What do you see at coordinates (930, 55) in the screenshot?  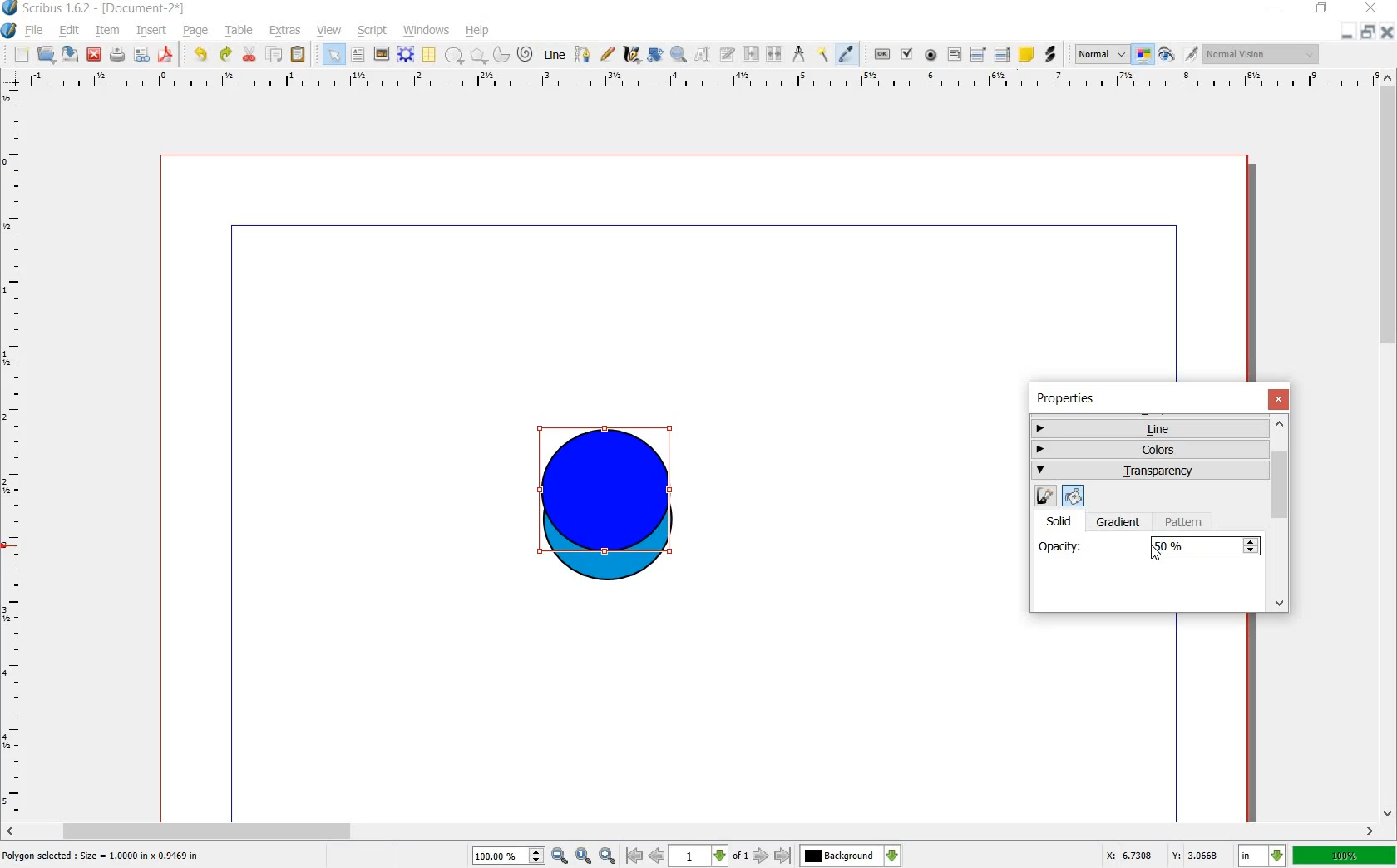 I see `pdf radio button` at bounding box center [930, 55].